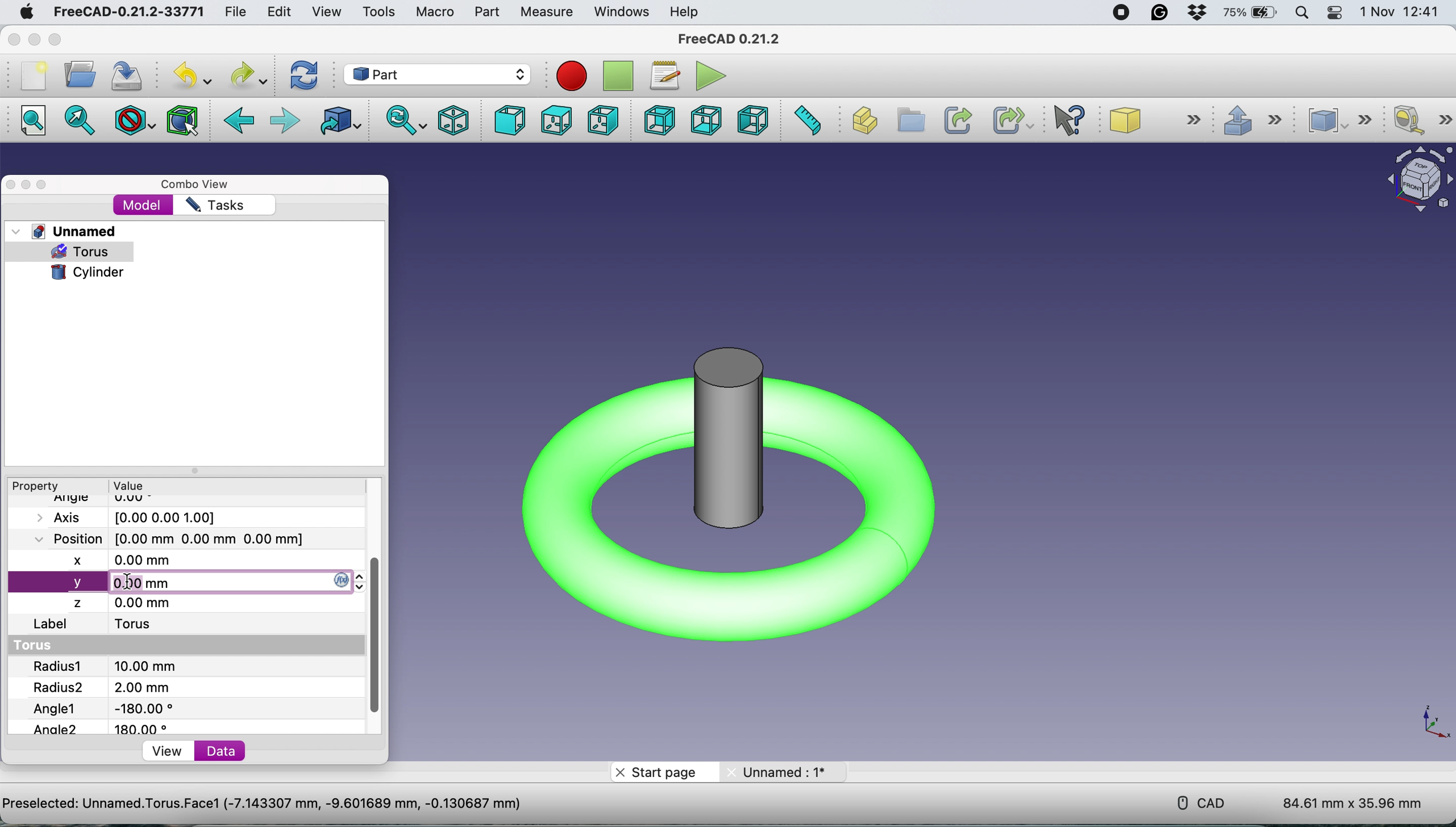 The height and width of the screenshot is (827, 1456). Describe the element at coordinates (163, 538) in the screenshot. I see `Position` at that location.